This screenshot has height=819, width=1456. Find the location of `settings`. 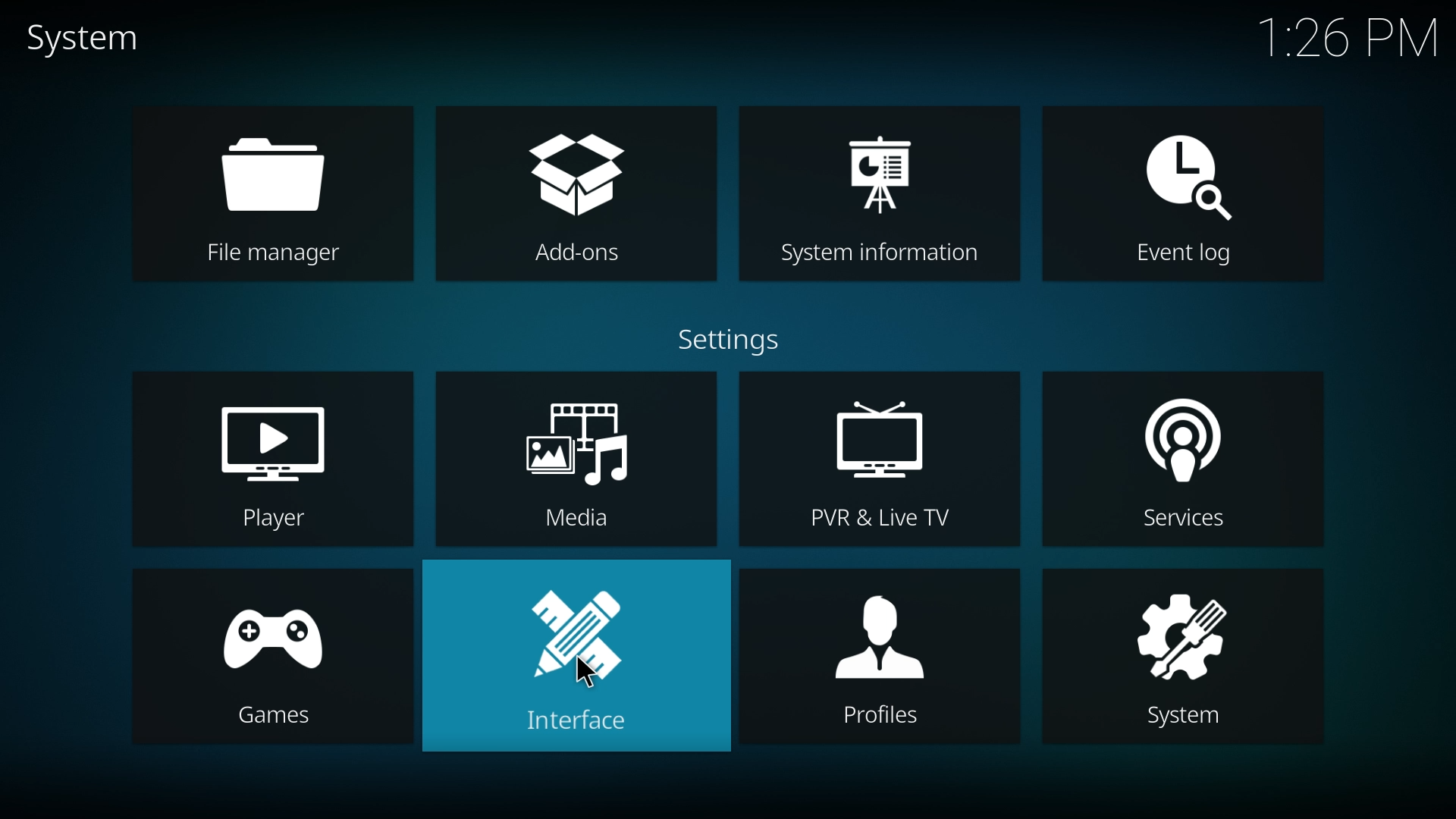

settings is located at coordinates (733, 337).